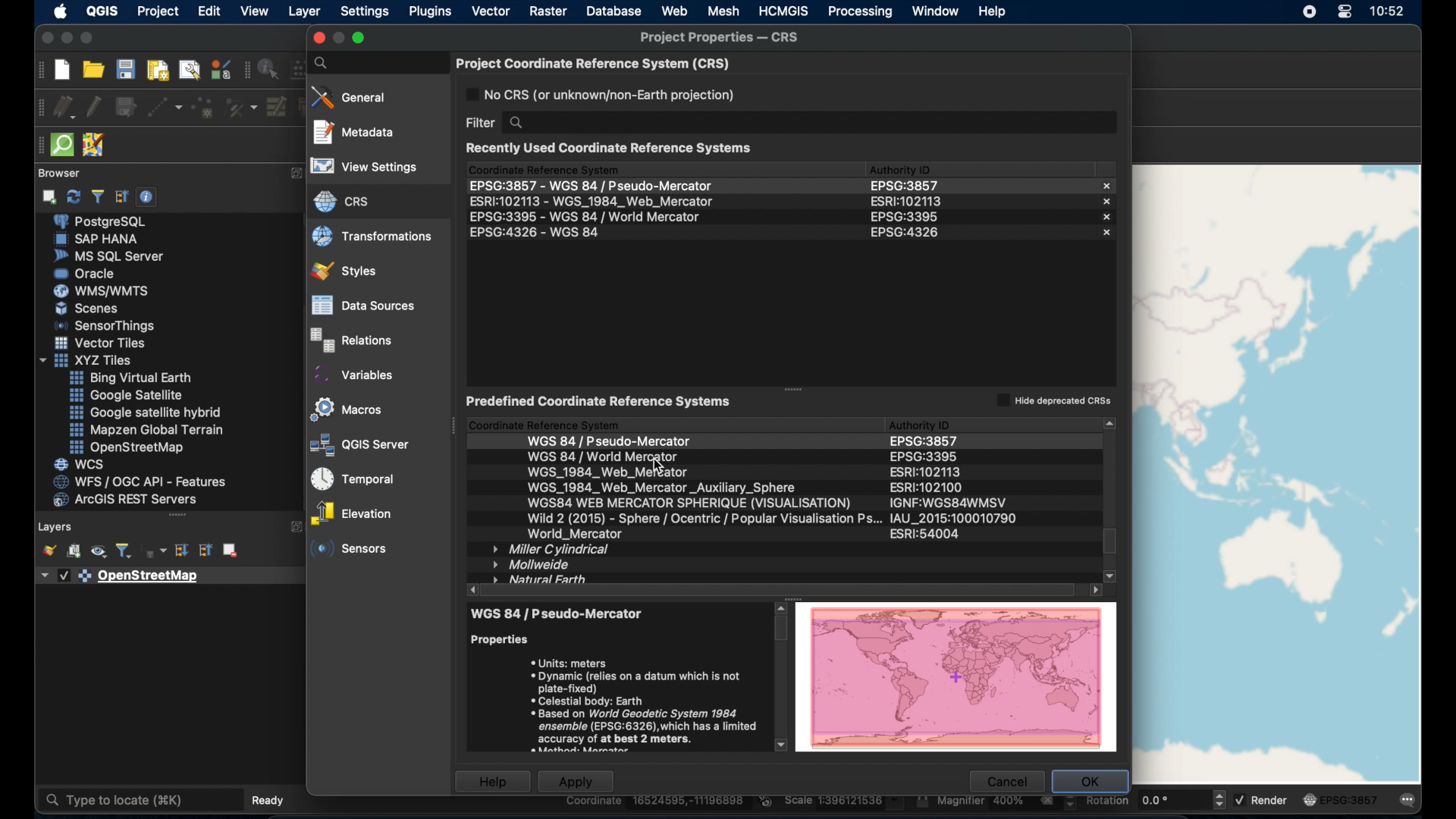  Describe the element at coordinates (187, 71) in the screenshot. I see `show layout manager` at that location.